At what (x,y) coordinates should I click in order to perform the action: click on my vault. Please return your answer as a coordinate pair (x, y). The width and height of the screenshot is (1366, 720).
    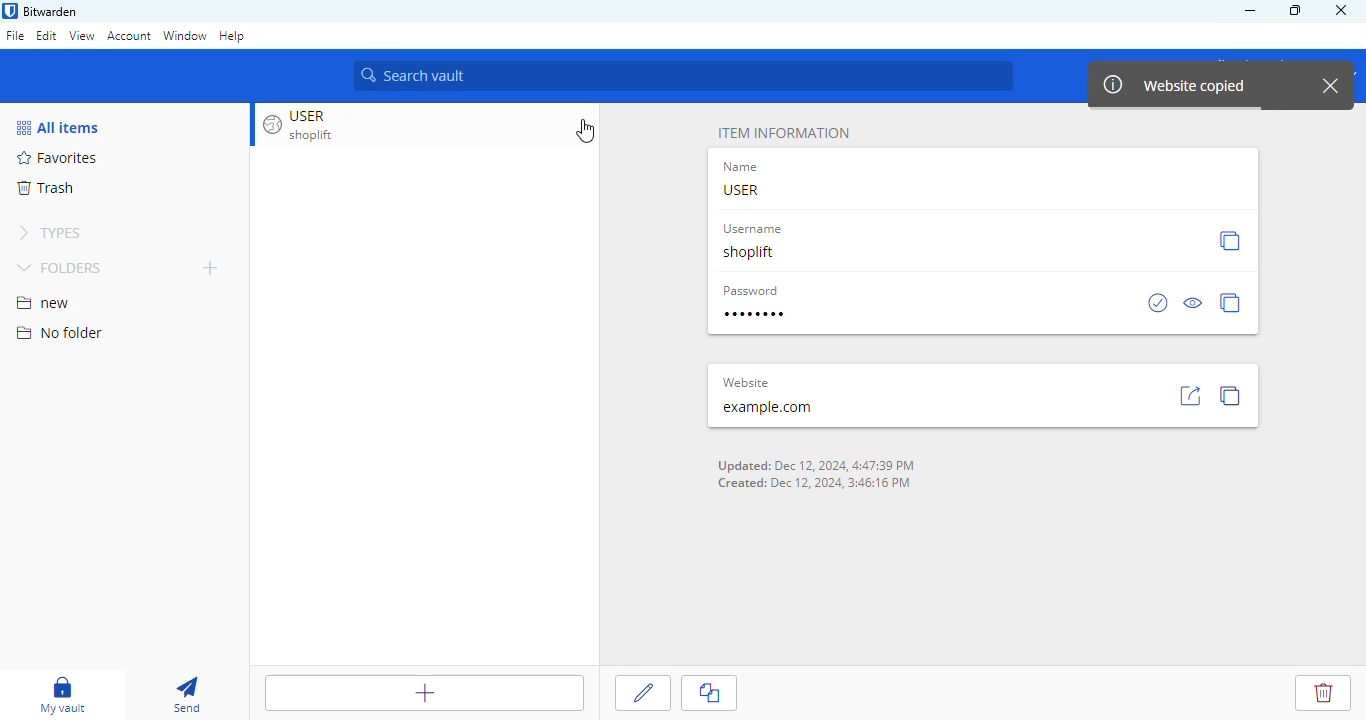
    Looking at the image, I should click on (65, 693).